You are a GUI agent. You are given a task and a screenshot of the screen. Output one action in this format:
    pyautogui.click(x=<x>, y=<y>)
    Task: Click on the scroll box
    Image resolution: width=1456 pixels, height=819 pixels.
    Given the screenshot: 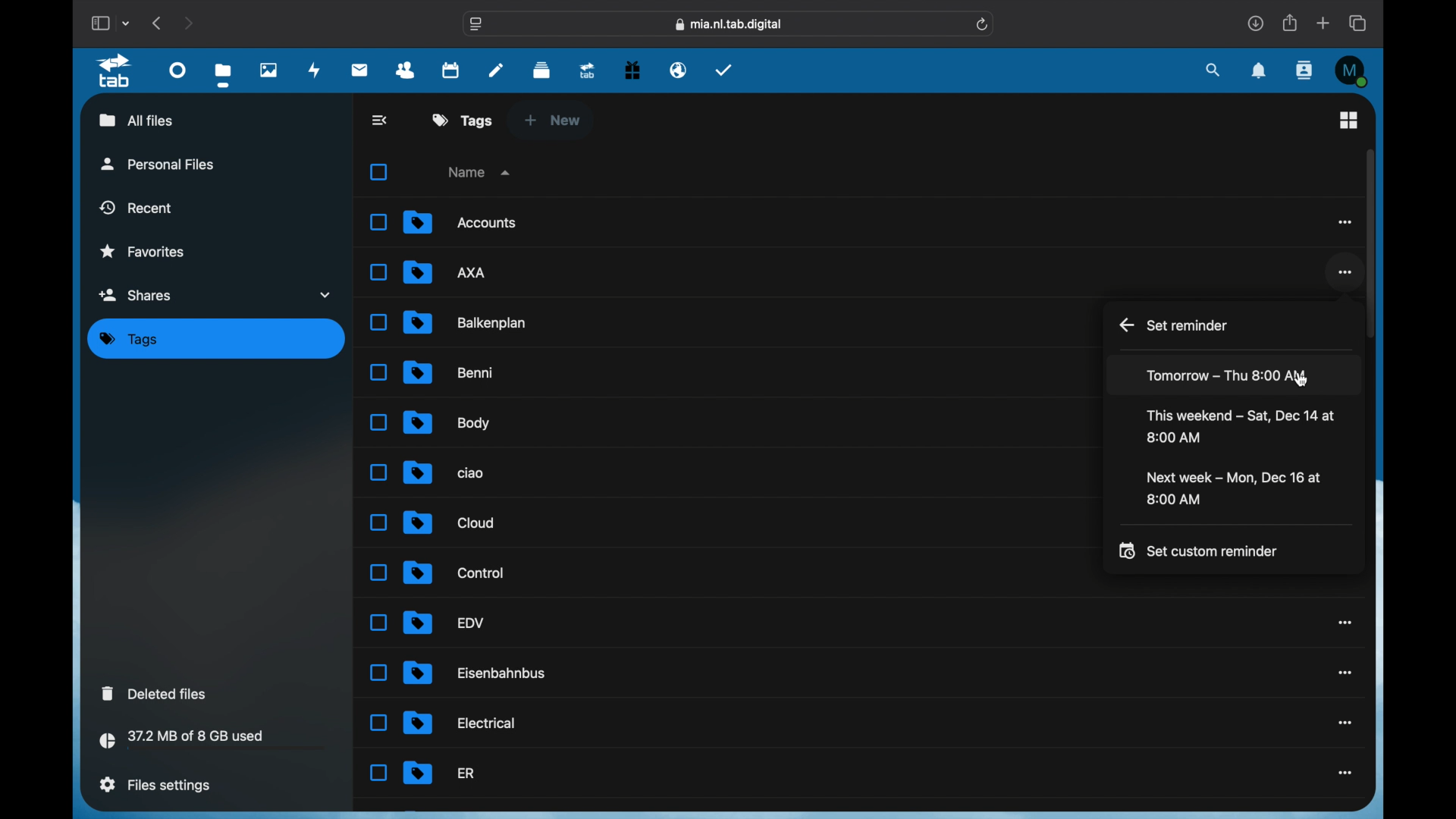 What is the action you would take?
    pyautogui.click(x=1370, y=243)
    